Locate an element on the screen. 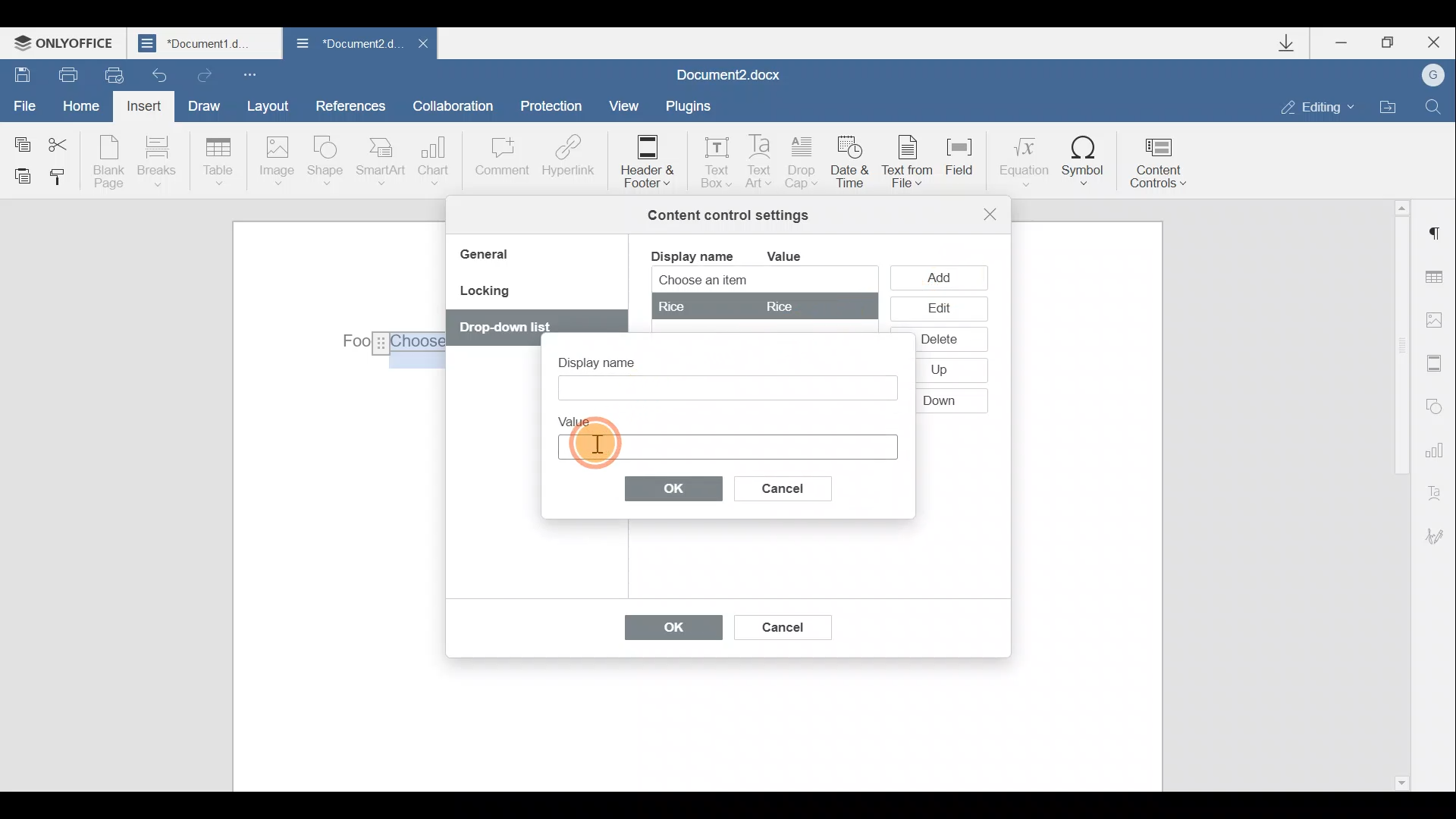 This screenshot has width=1456, height=819. Cursor is located at coordinates (593, 441).